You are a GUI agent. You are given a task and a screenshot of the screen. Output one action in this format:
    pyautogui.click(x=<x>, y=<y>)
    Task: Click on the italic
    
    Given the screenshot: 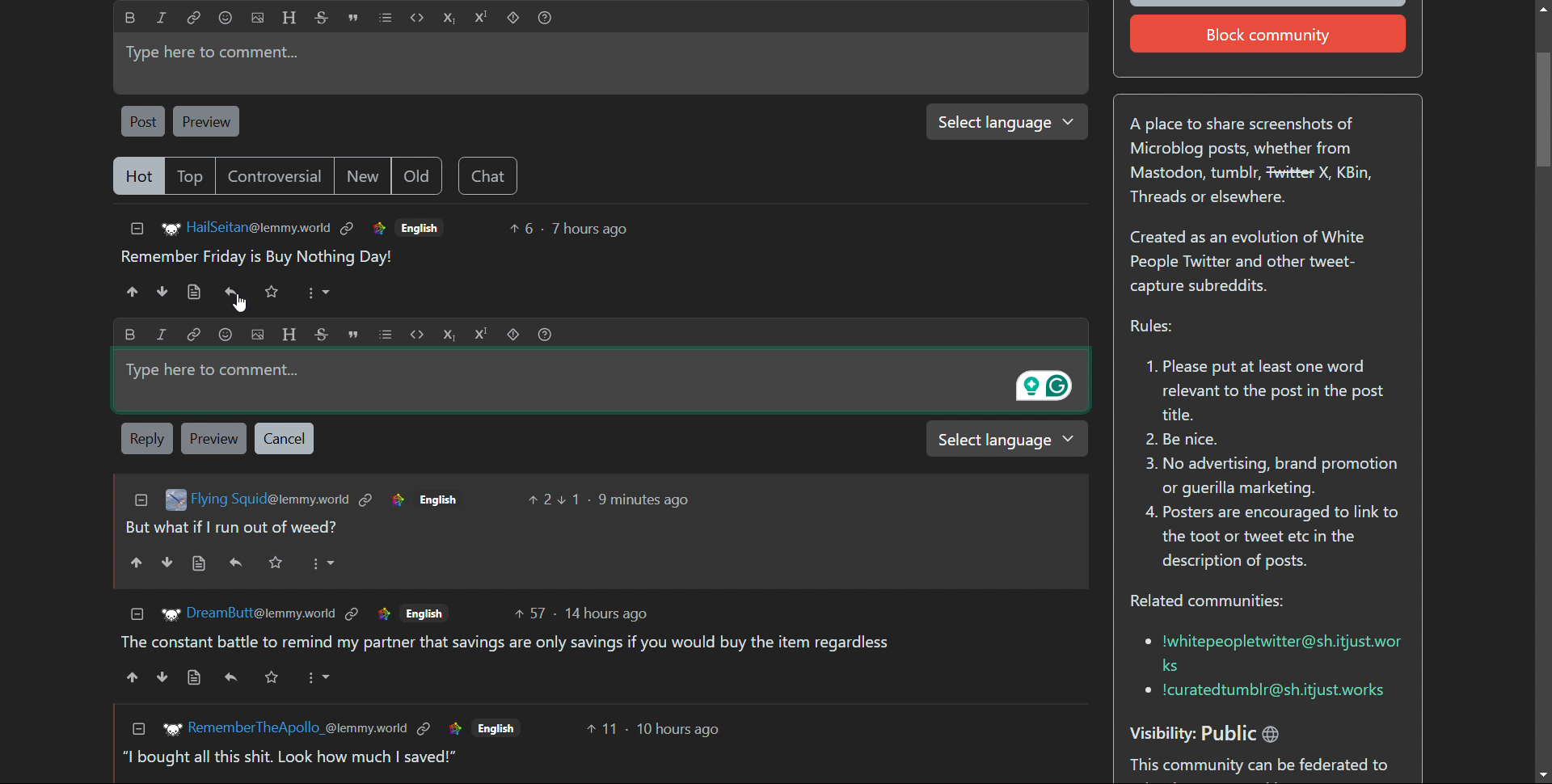 What is the action you would take?
    pyautogui.click(x=162, y=17)
    